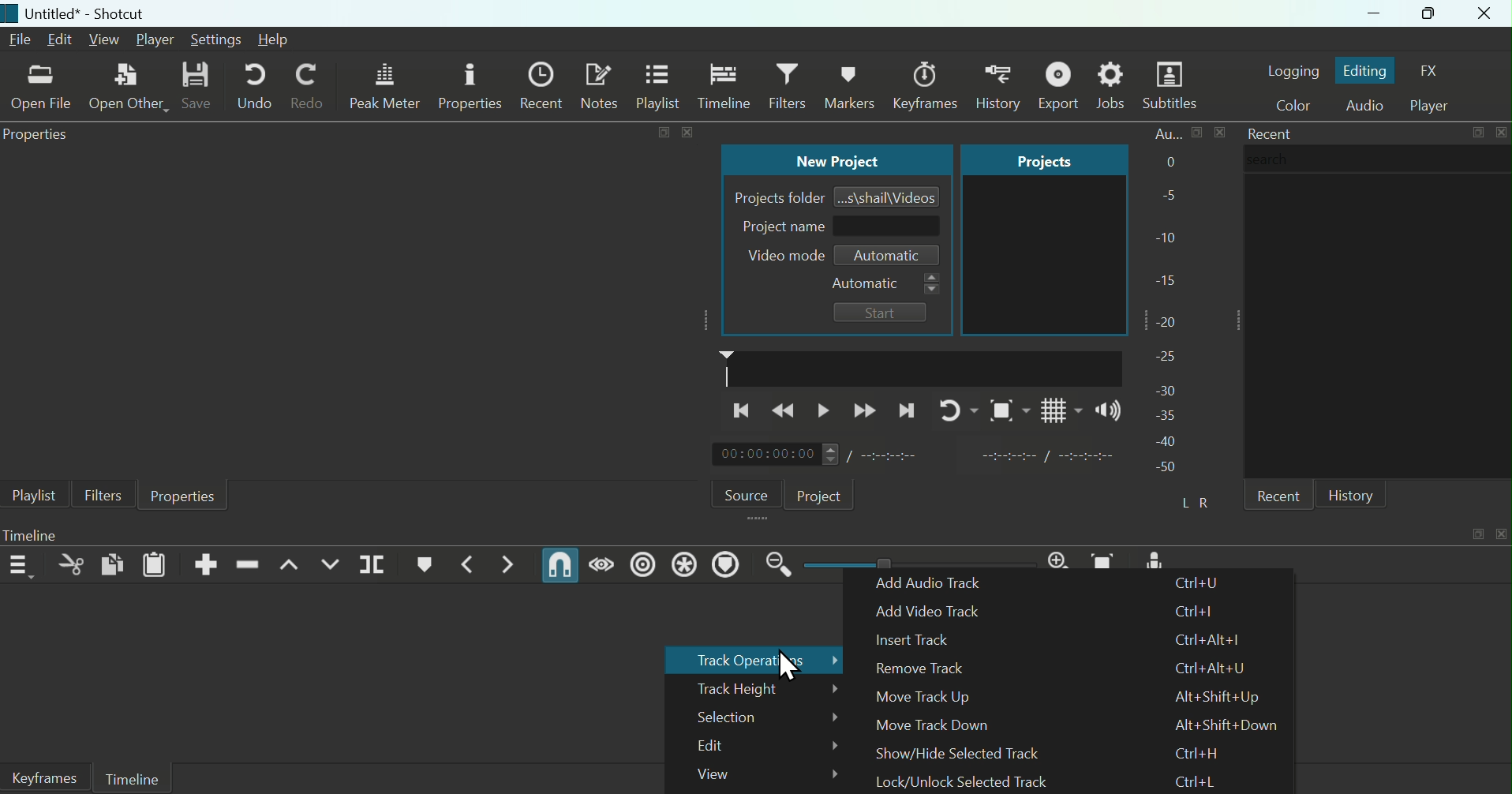 Image resolution: width=1512 pixels, height=794 pixels. Describe the element at coordinates (1200, 585) in the screenshot. I see `Ctrl+U` at that location.